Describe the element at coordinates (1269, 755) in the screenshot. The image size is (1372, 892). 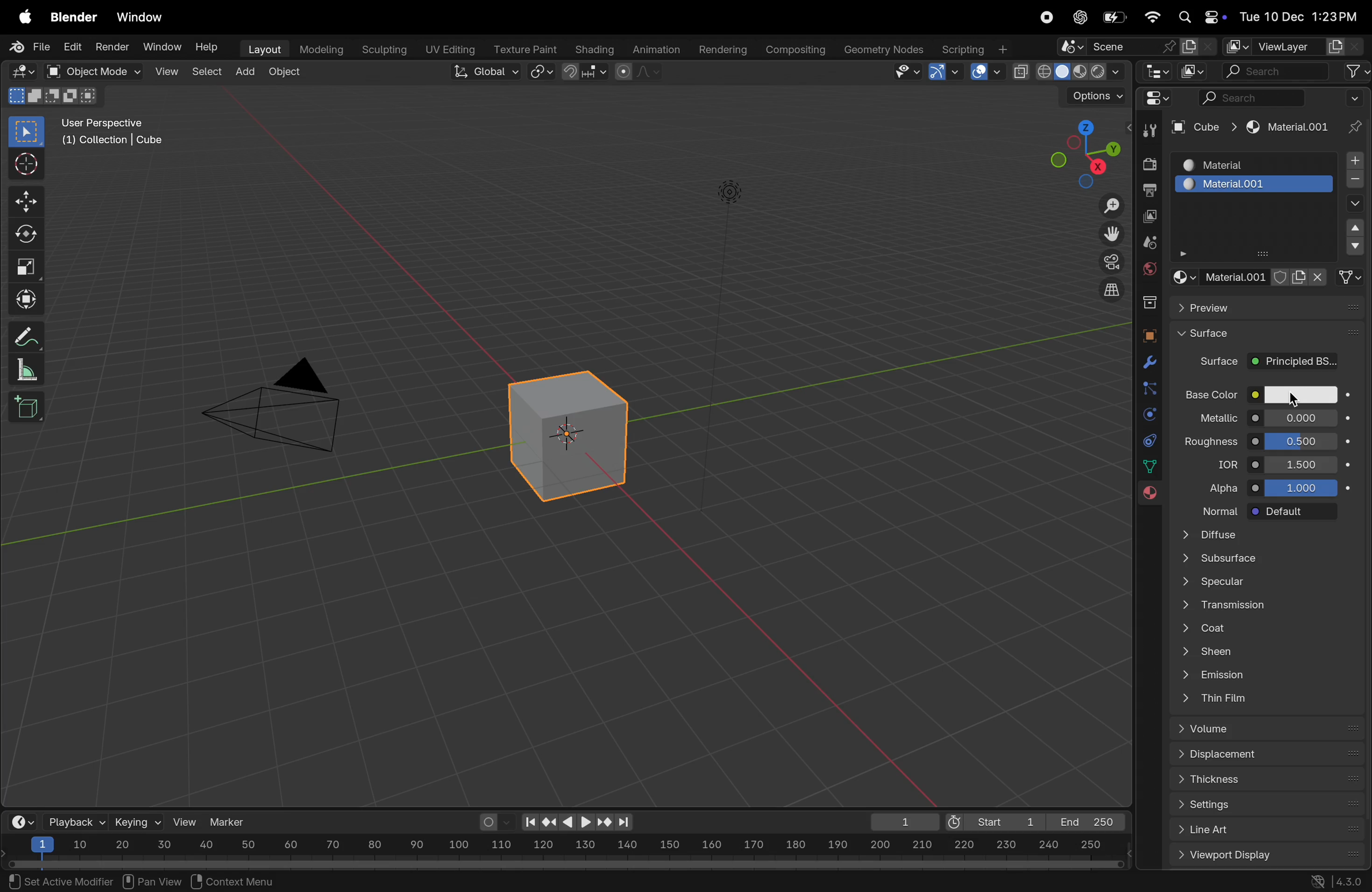
I see `displacement` at that location.